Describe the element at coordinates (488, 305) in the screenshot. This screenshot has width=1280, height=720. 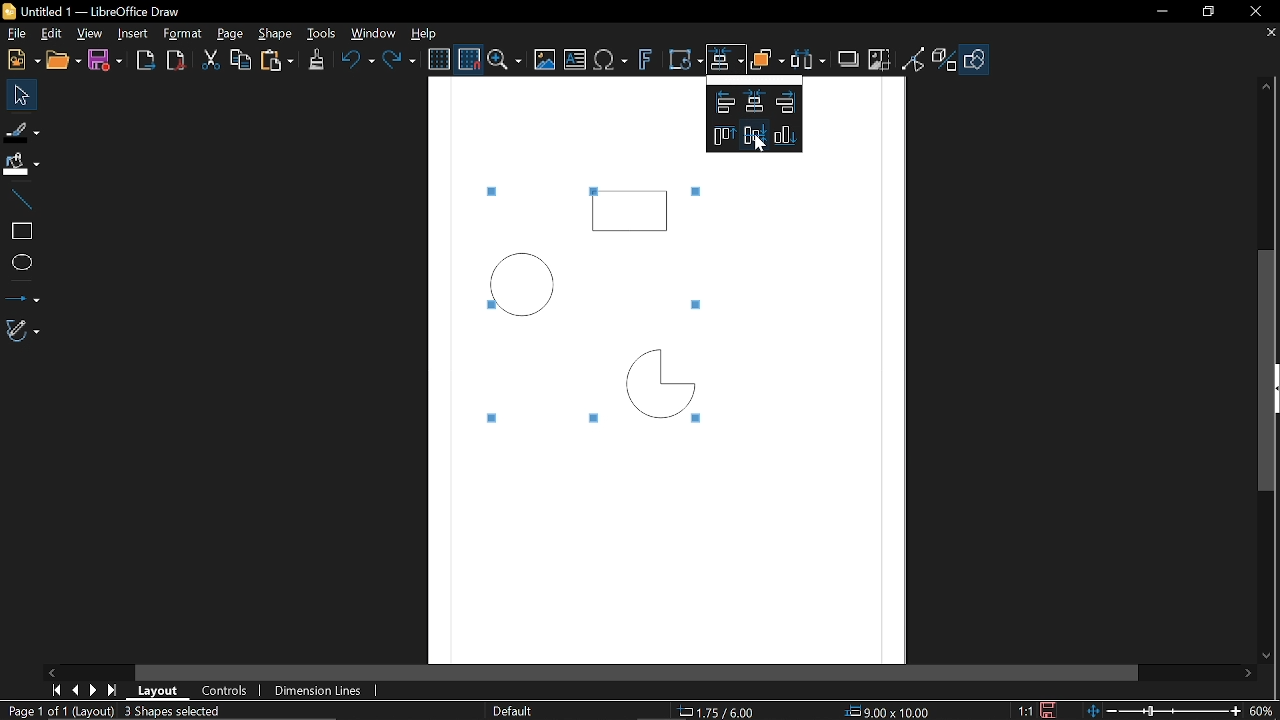
I see `Tiny square marked around the selected objects` at that location.